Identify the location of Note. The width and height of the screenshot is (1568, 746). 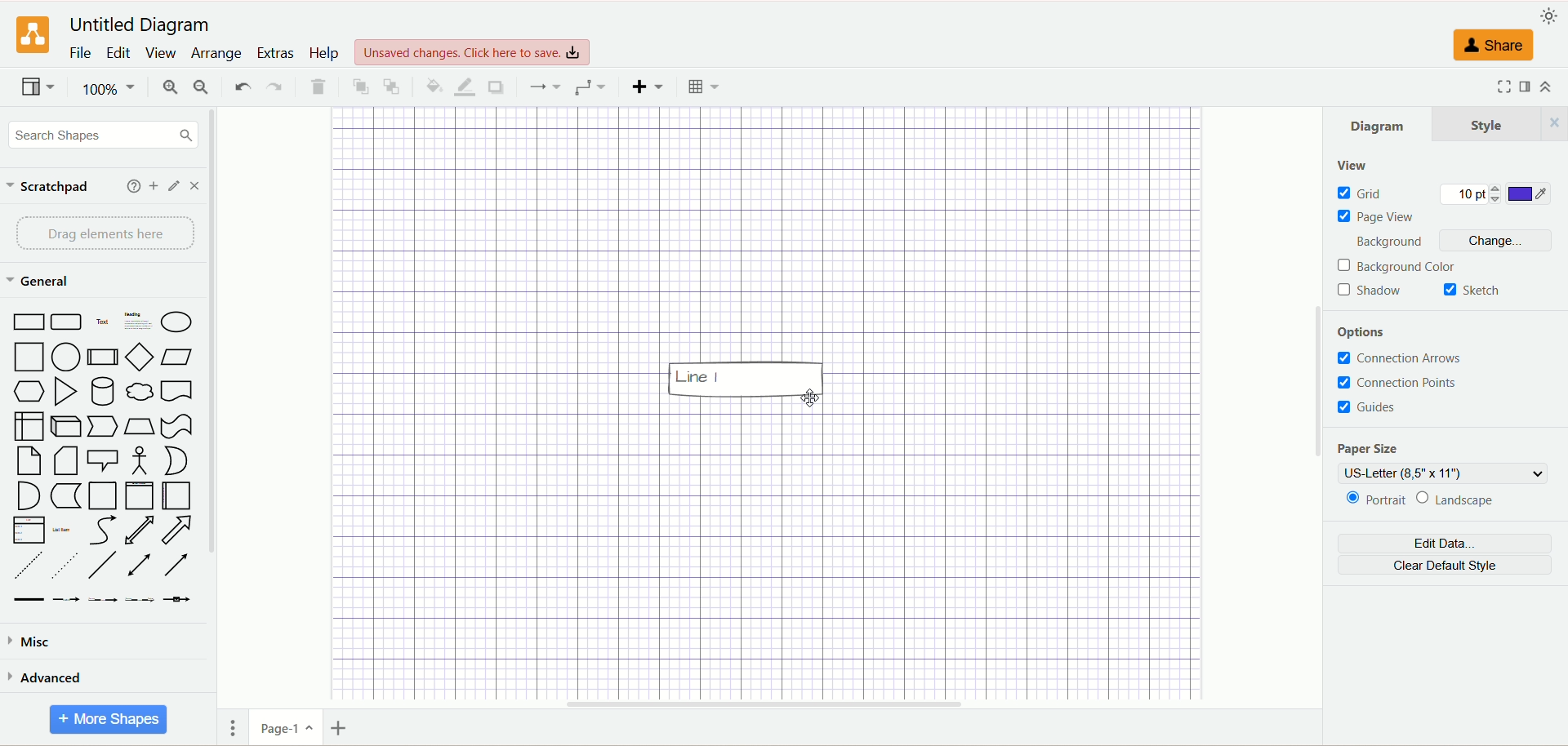
(26, 461).